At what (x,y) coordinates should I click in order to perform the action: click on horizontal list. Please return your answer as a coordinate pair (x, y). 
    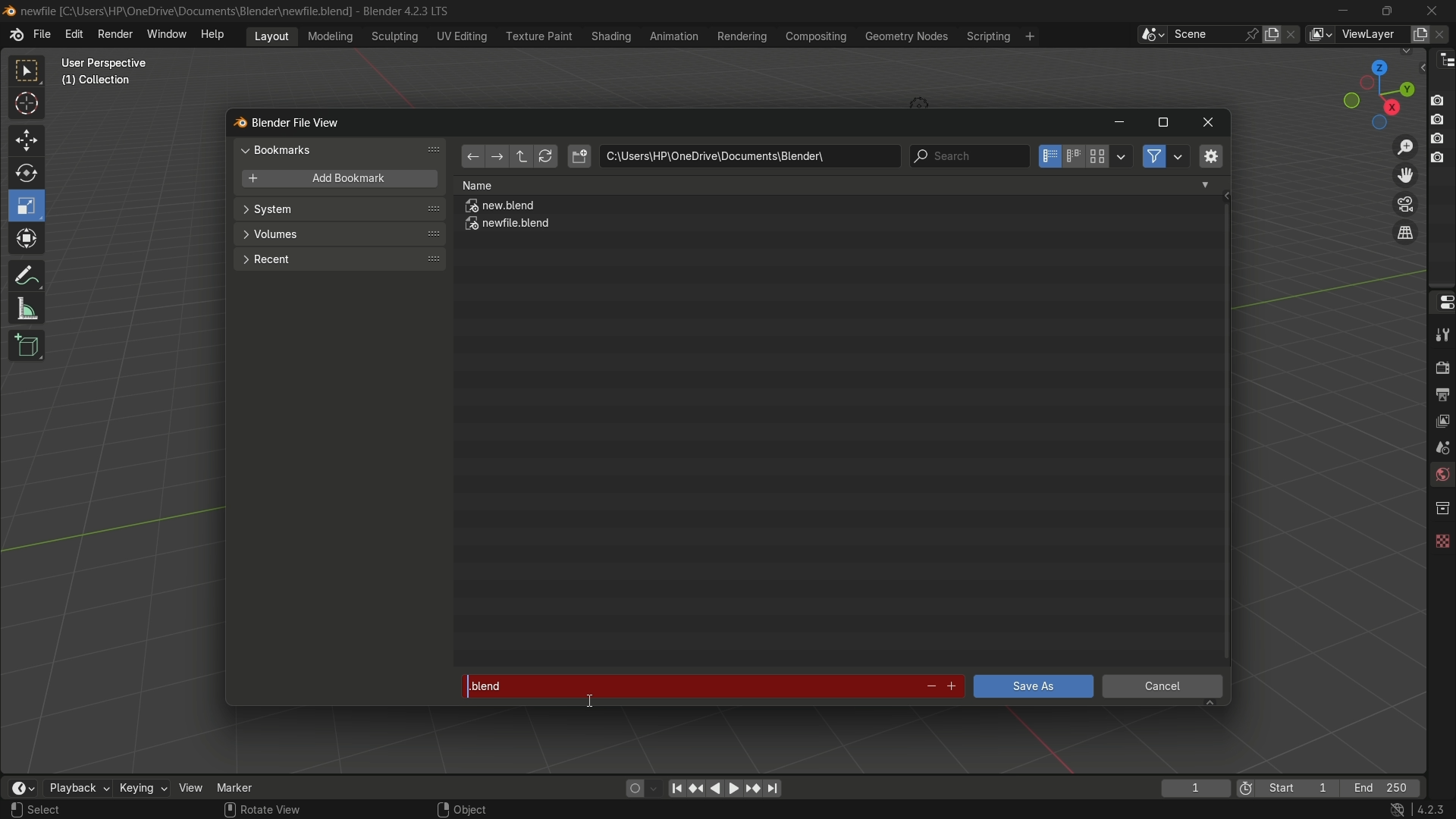
    Looking at the image, I should click on (1073, 156).